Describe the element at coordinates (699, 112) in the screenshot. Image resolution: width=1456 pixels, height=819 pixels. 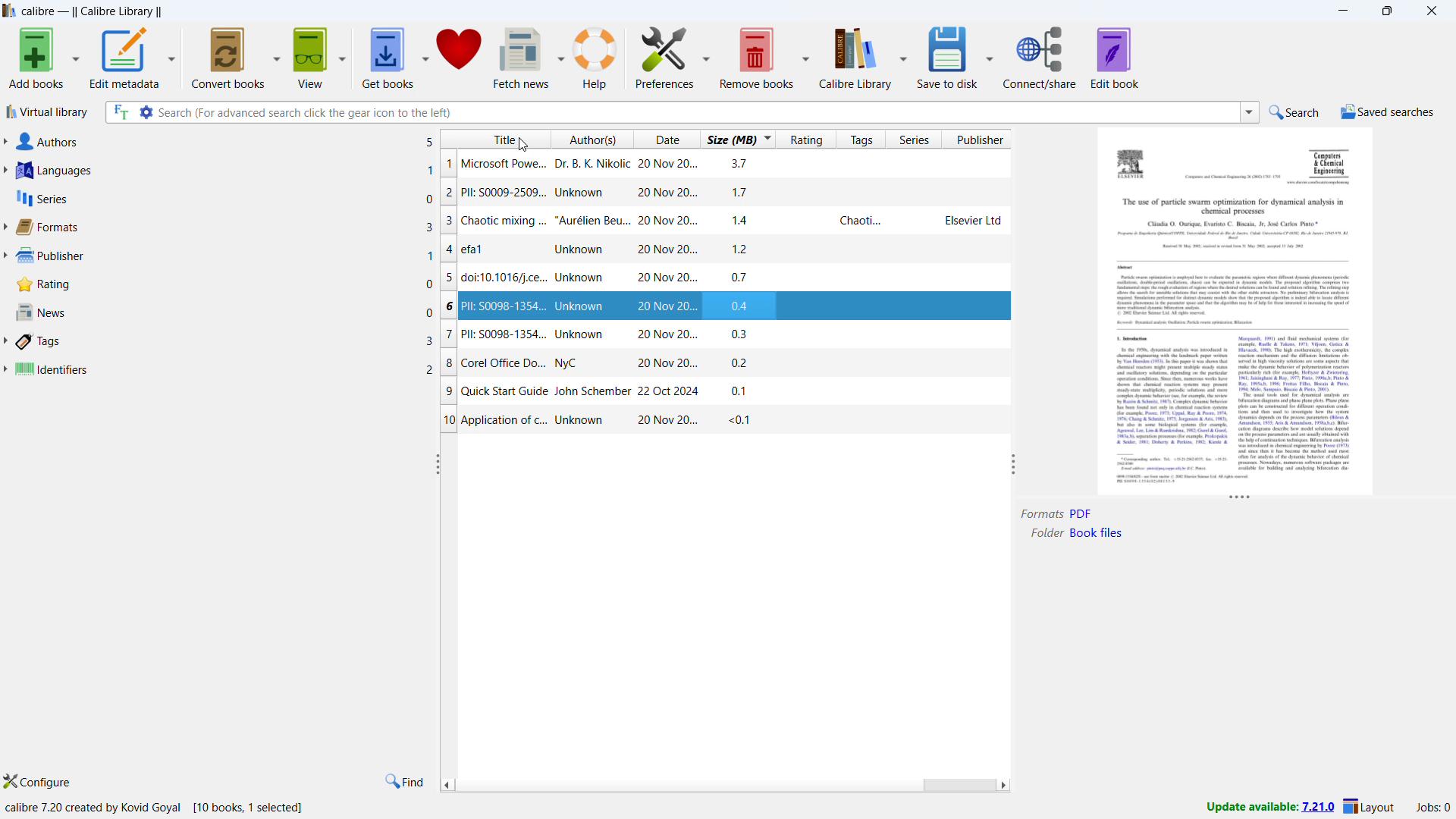
I see `enter search string` at that location.